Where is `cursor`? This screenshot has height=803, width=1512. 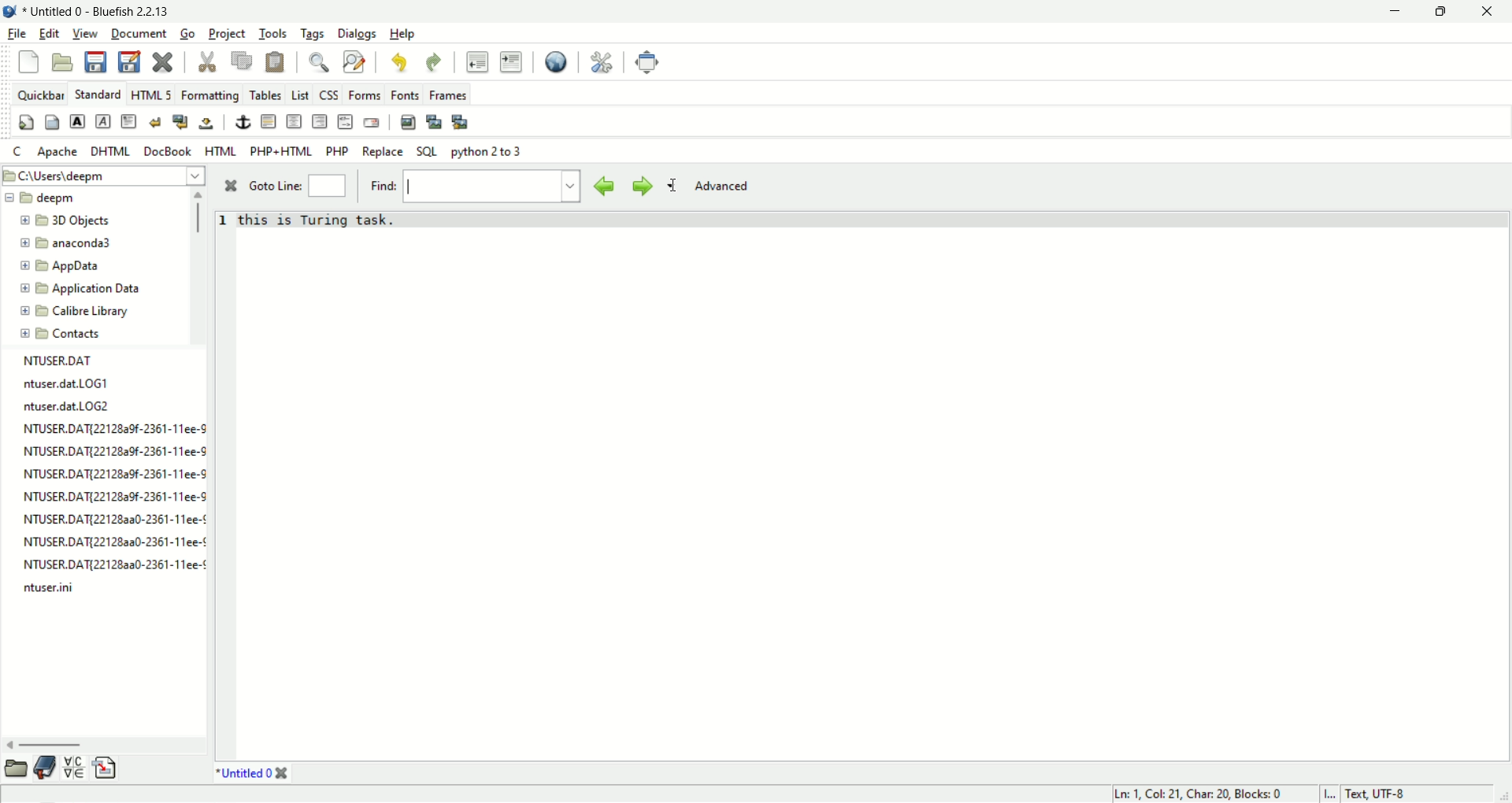
cursor is located at coordinates (411, 186).